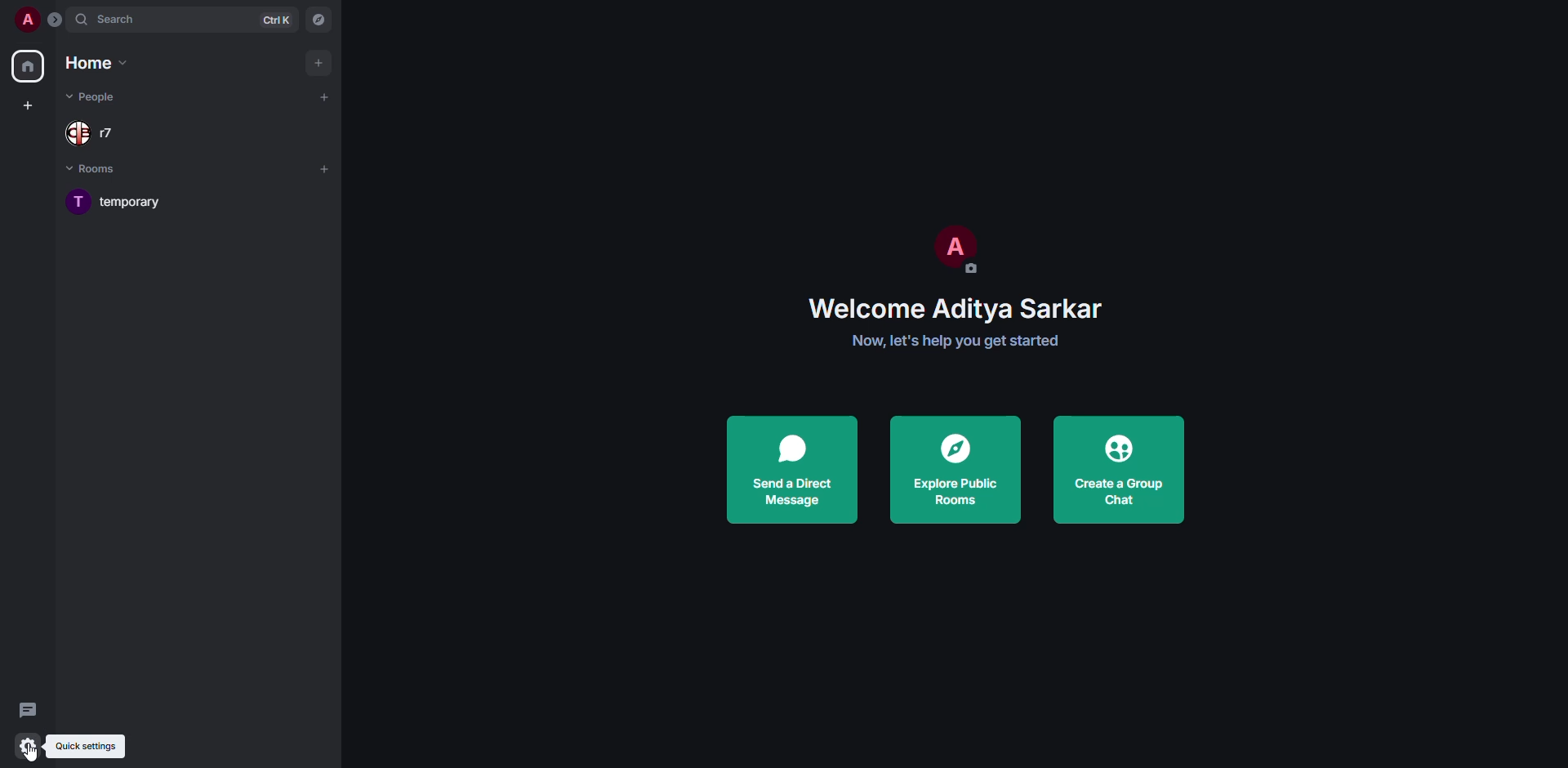  I want to click on room, so click(137, 200).